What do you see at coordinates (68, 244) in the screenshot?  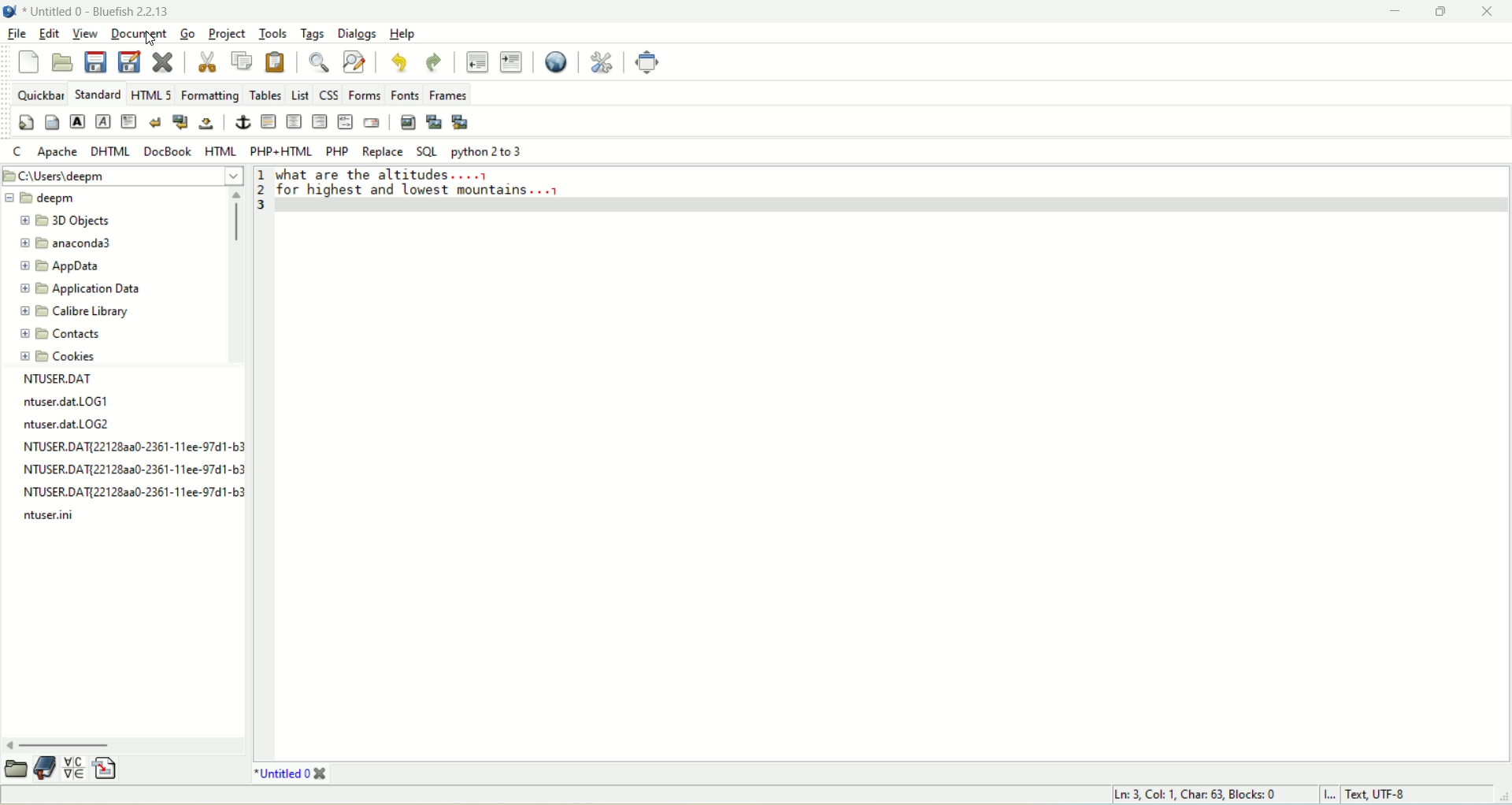 I see `anaconda3` at bounding box center [68, 244].